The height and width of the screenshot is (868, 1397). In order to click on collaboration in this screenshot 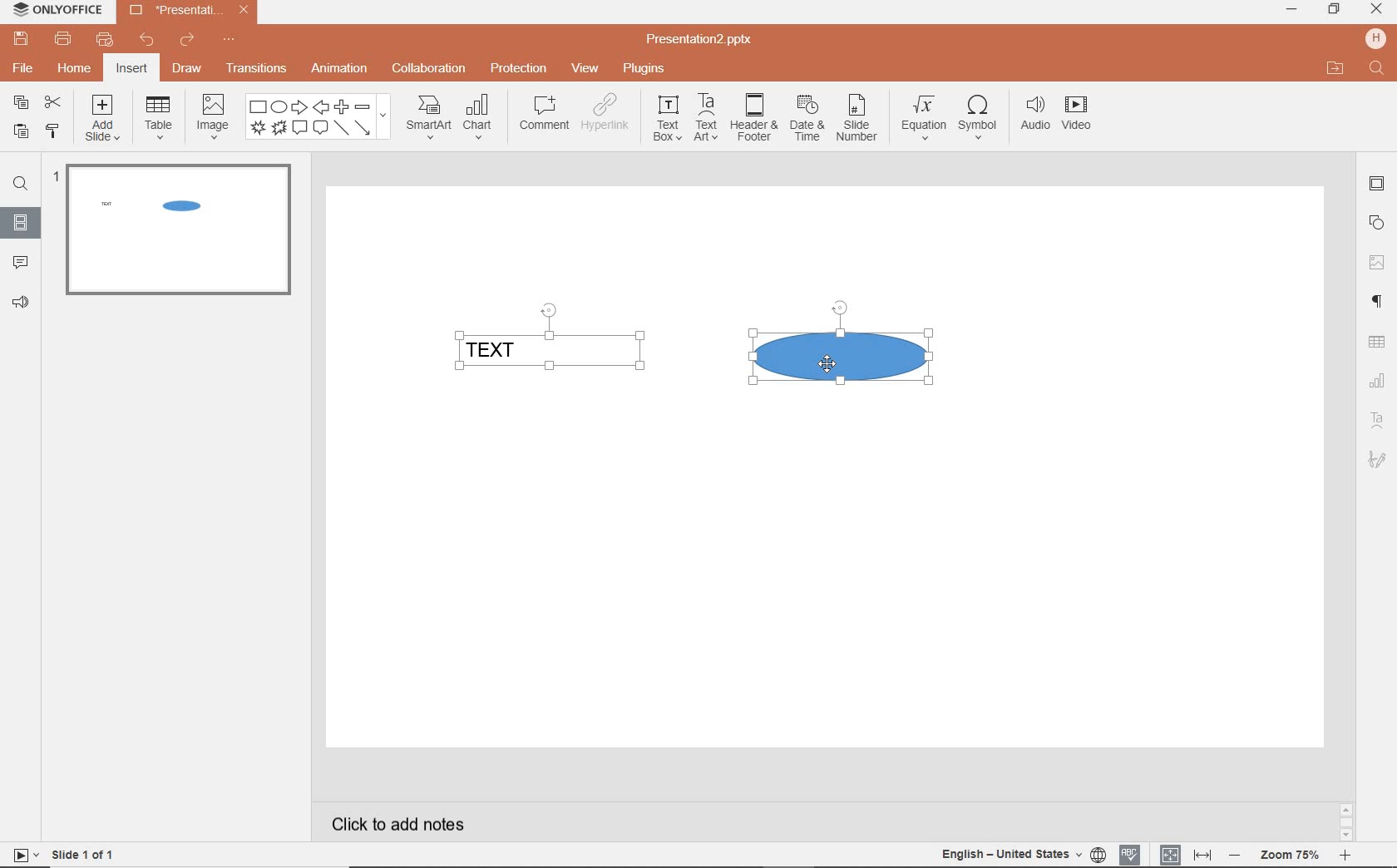, I will do `click(427, 70)`.